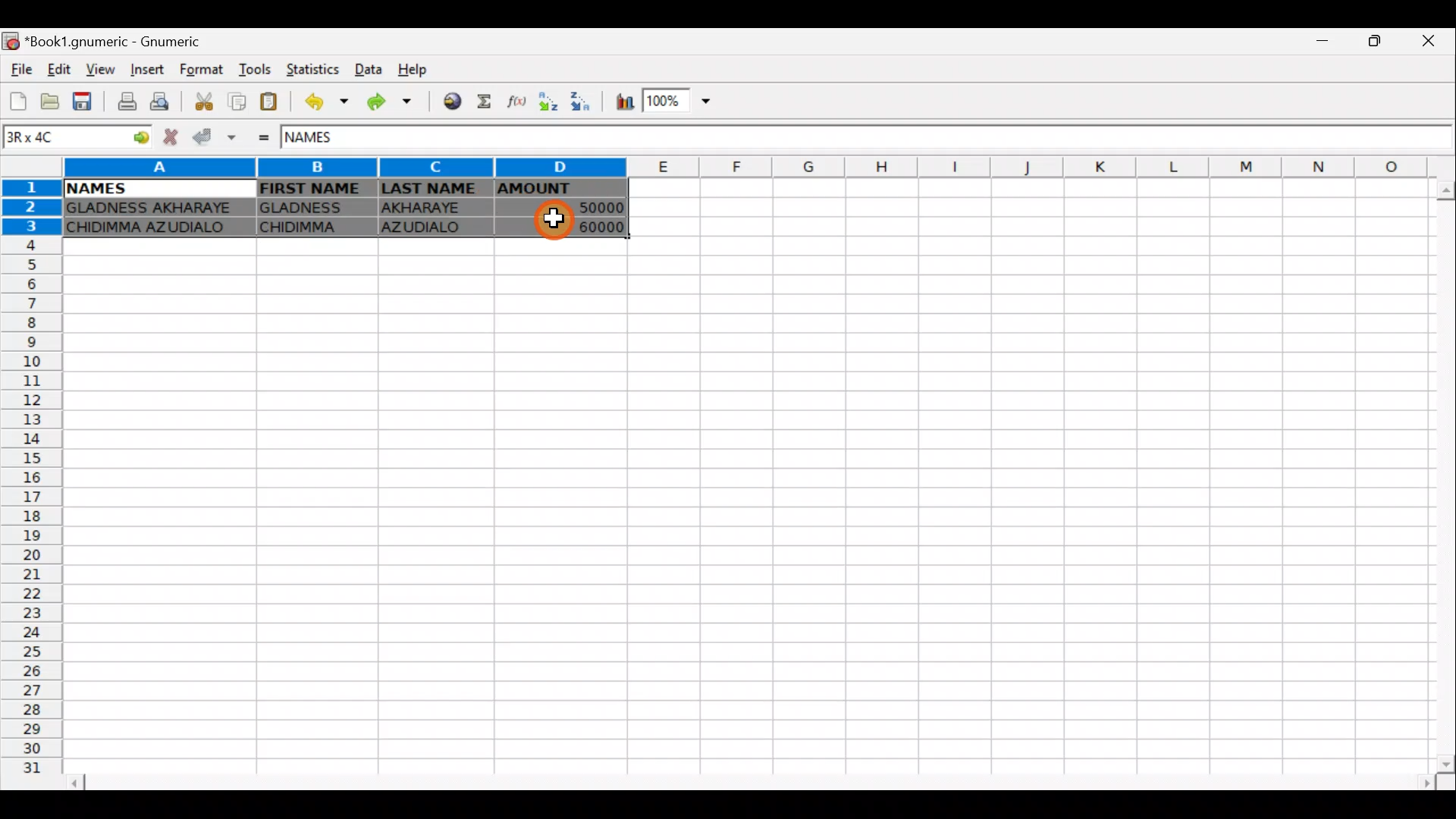  I want to click on Accept change, so click(212, 137).